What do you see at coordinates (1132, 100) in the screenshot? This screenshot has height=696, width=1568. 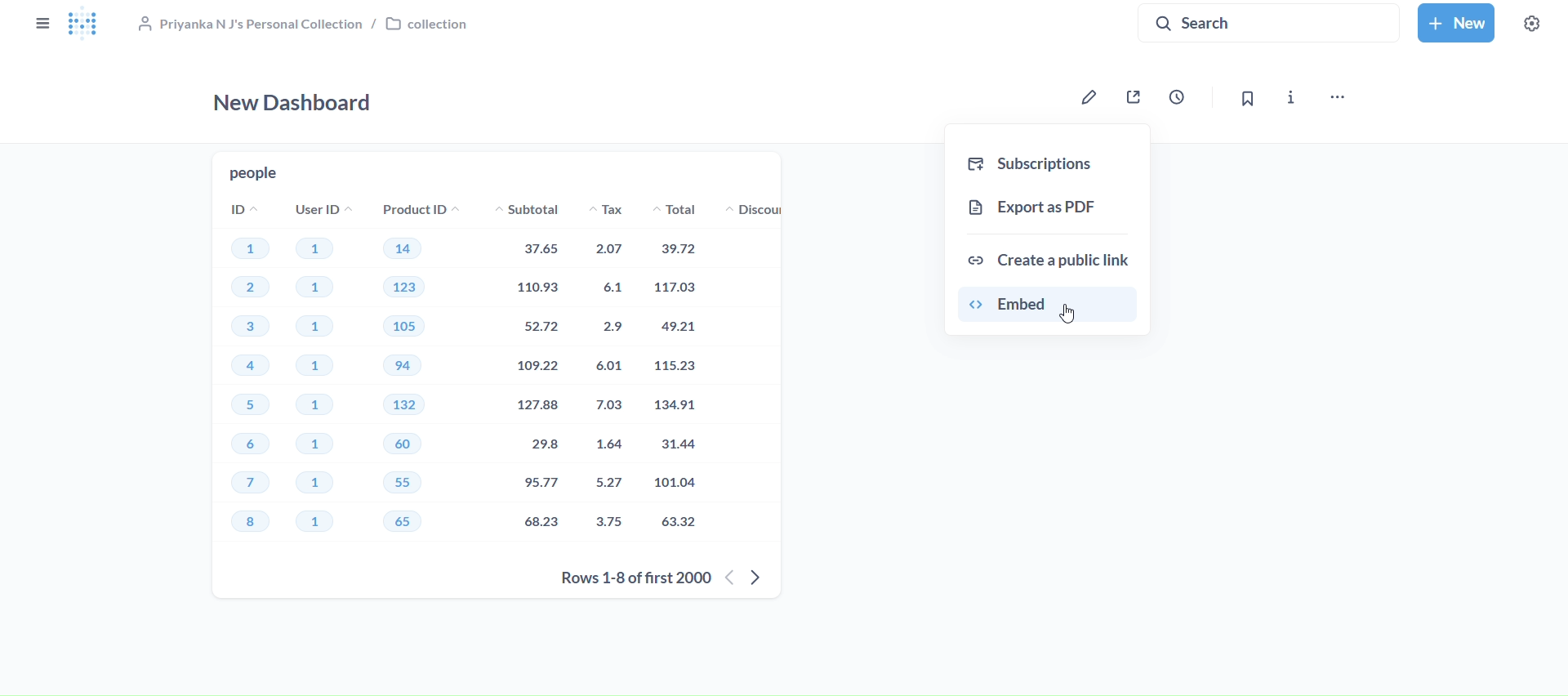 I see `sharing` at bounding box center [1132, 100].